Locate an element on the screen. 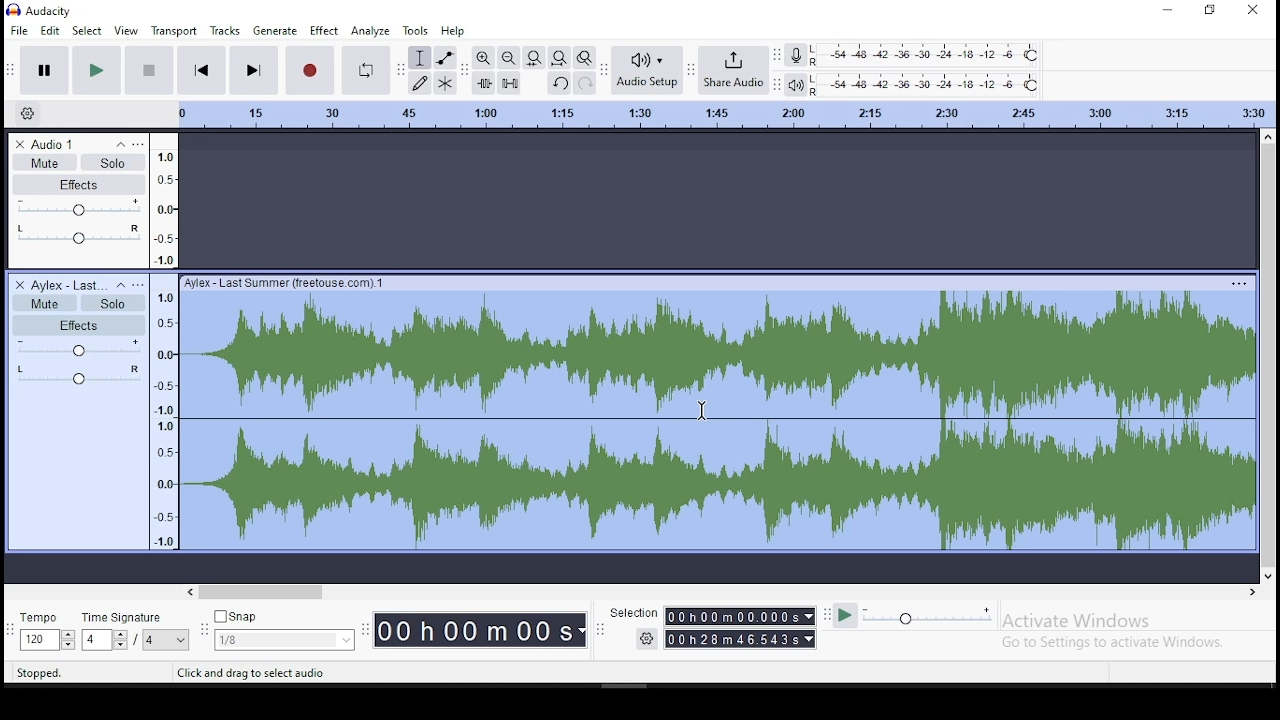 Image resolution: width=1280 pixels, height=720 pixels. snap is located at coordinates (286, 631).